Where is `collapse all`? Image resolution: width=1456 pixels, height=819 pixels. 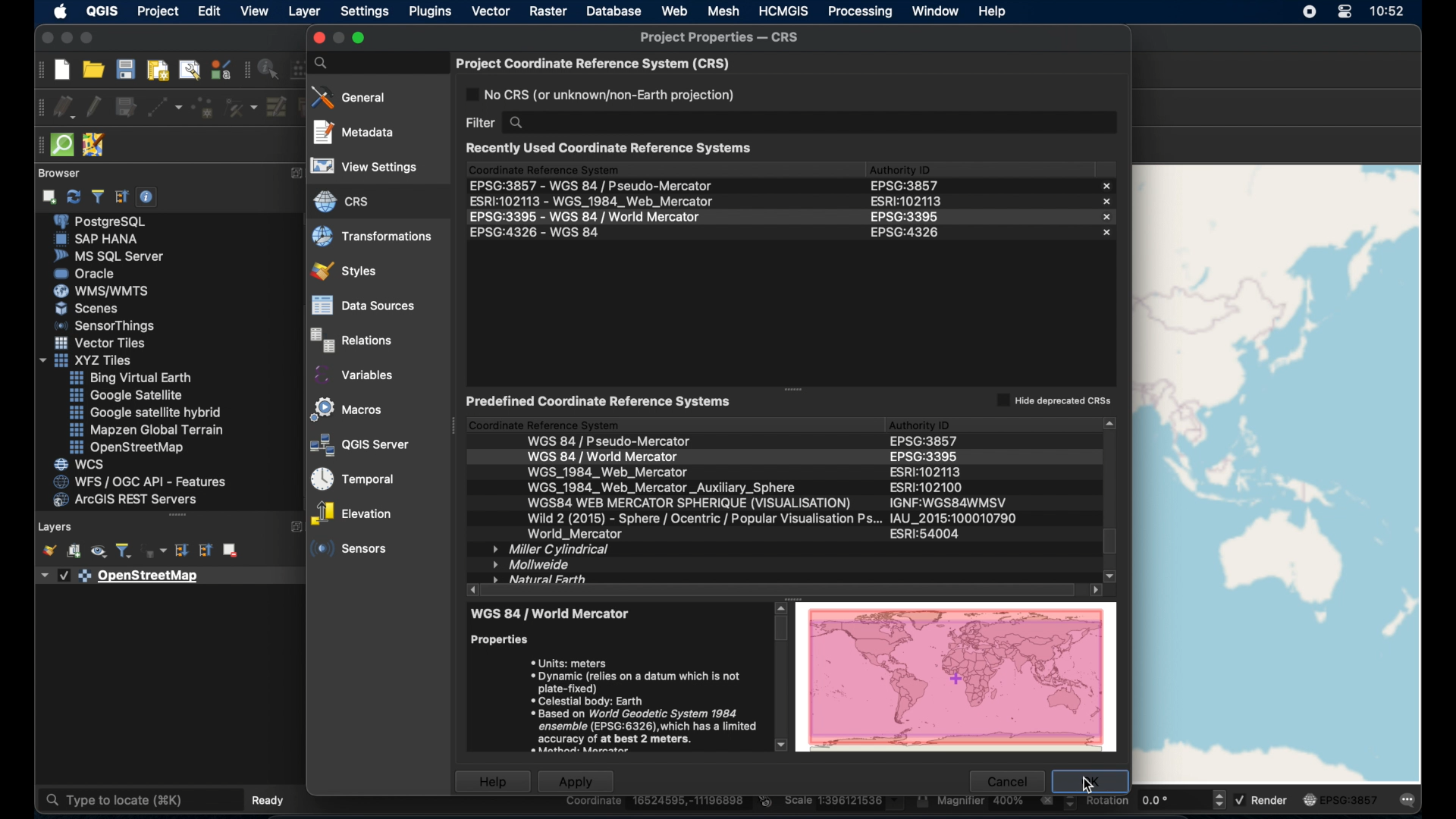 collapse all is located at coordinates (206, 551).